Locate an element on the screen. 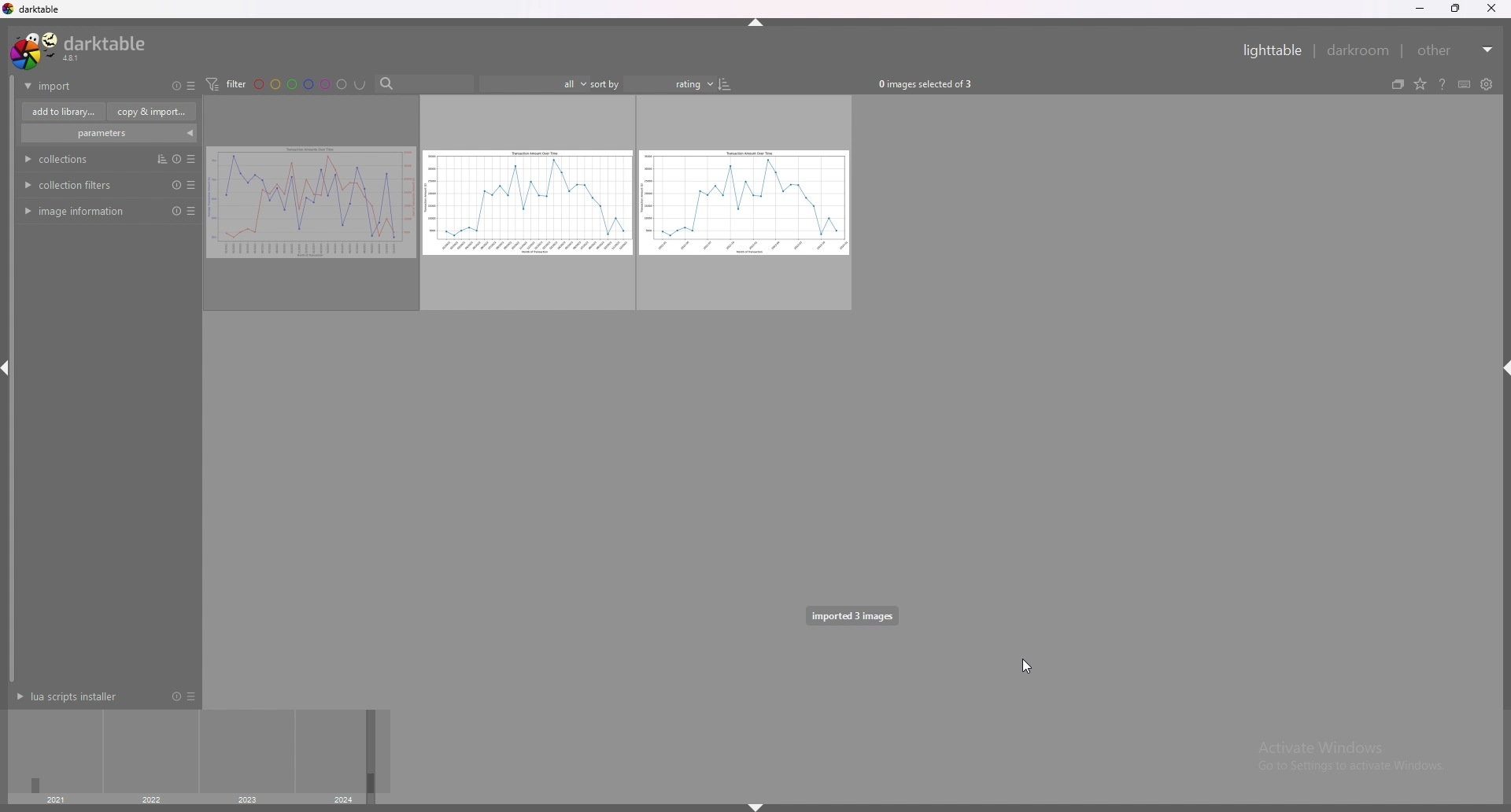 The image size is (1511, 812). presets is located at coordinates (191, 184).